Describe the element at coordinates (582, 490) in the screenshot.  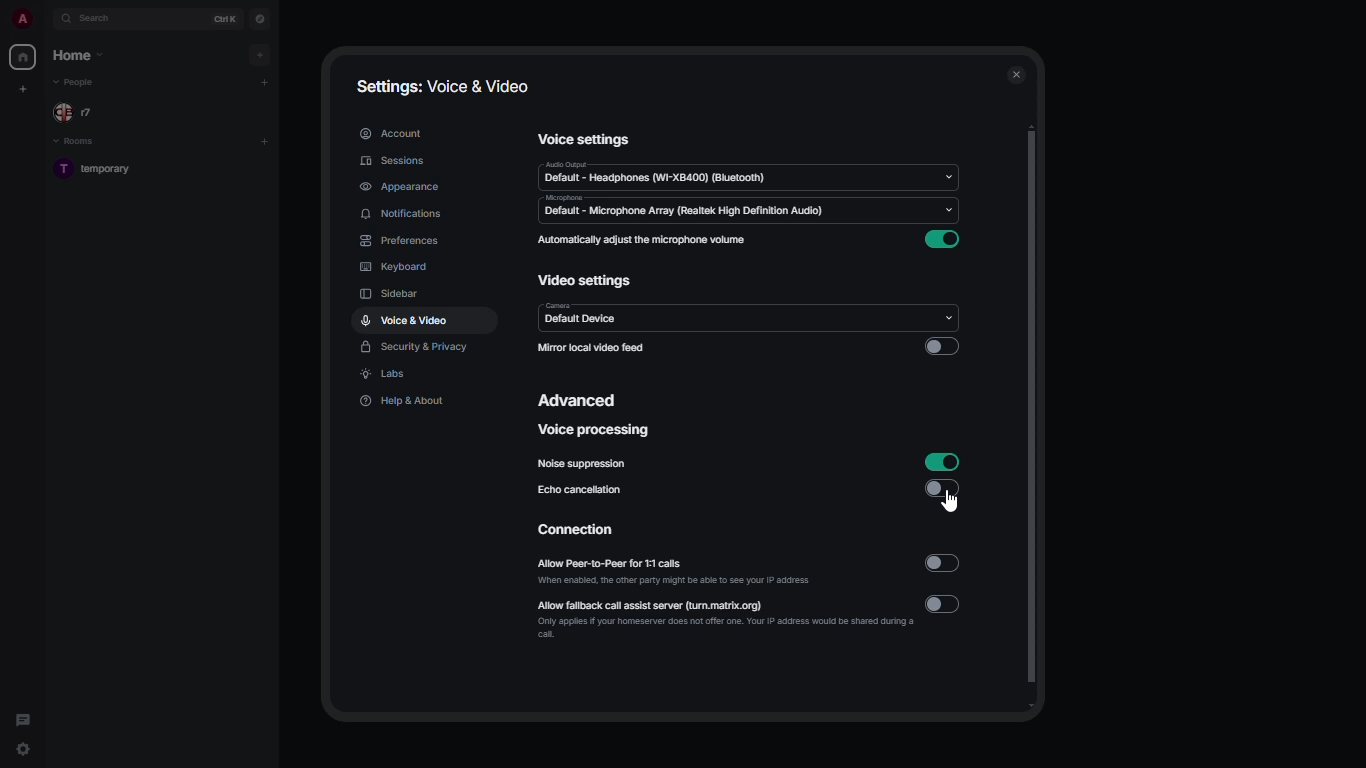
I see `echo cancellation` at that location.